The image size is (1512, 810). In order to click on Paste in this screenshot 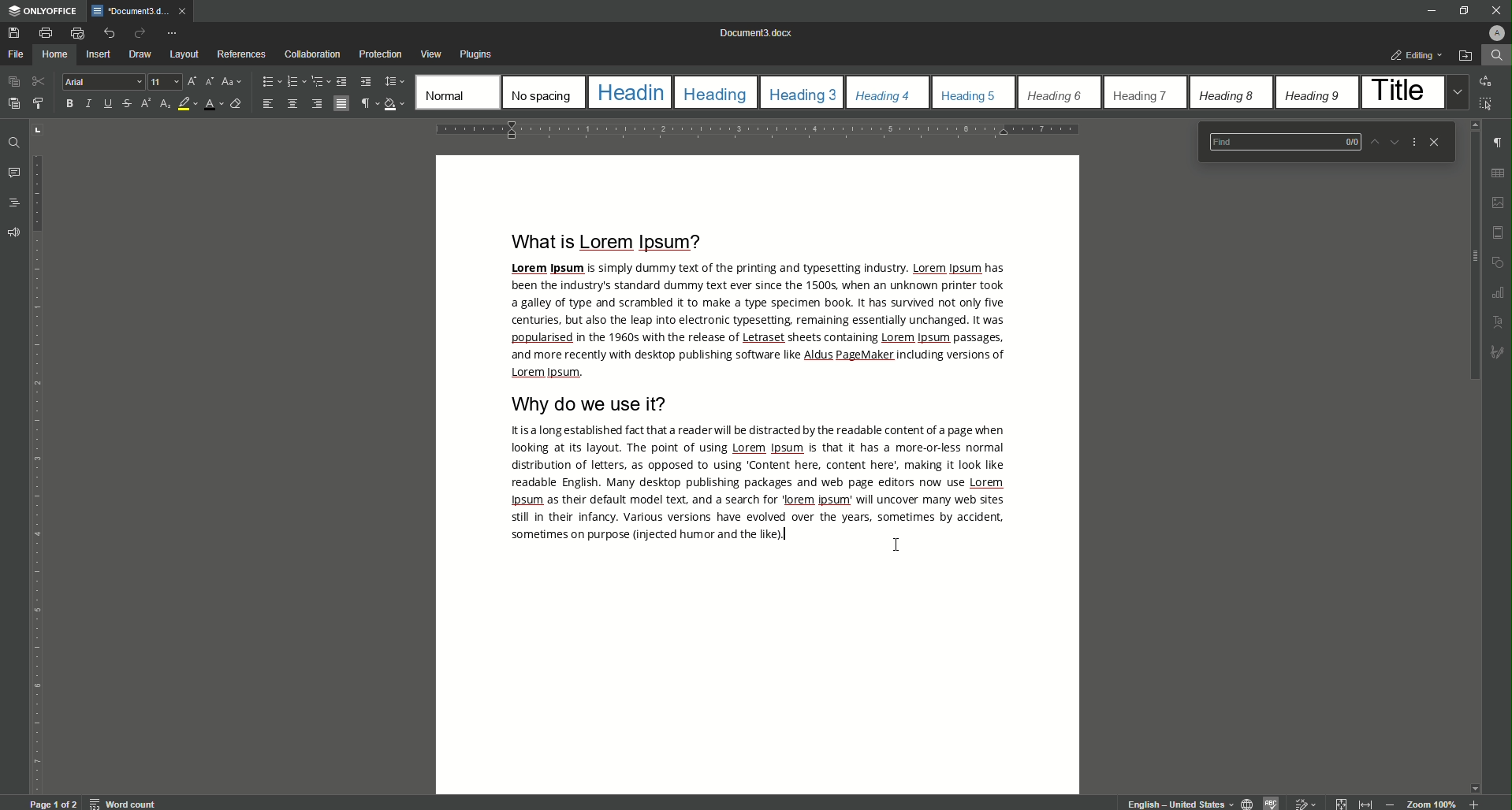, I will do `click(13, 102)`.